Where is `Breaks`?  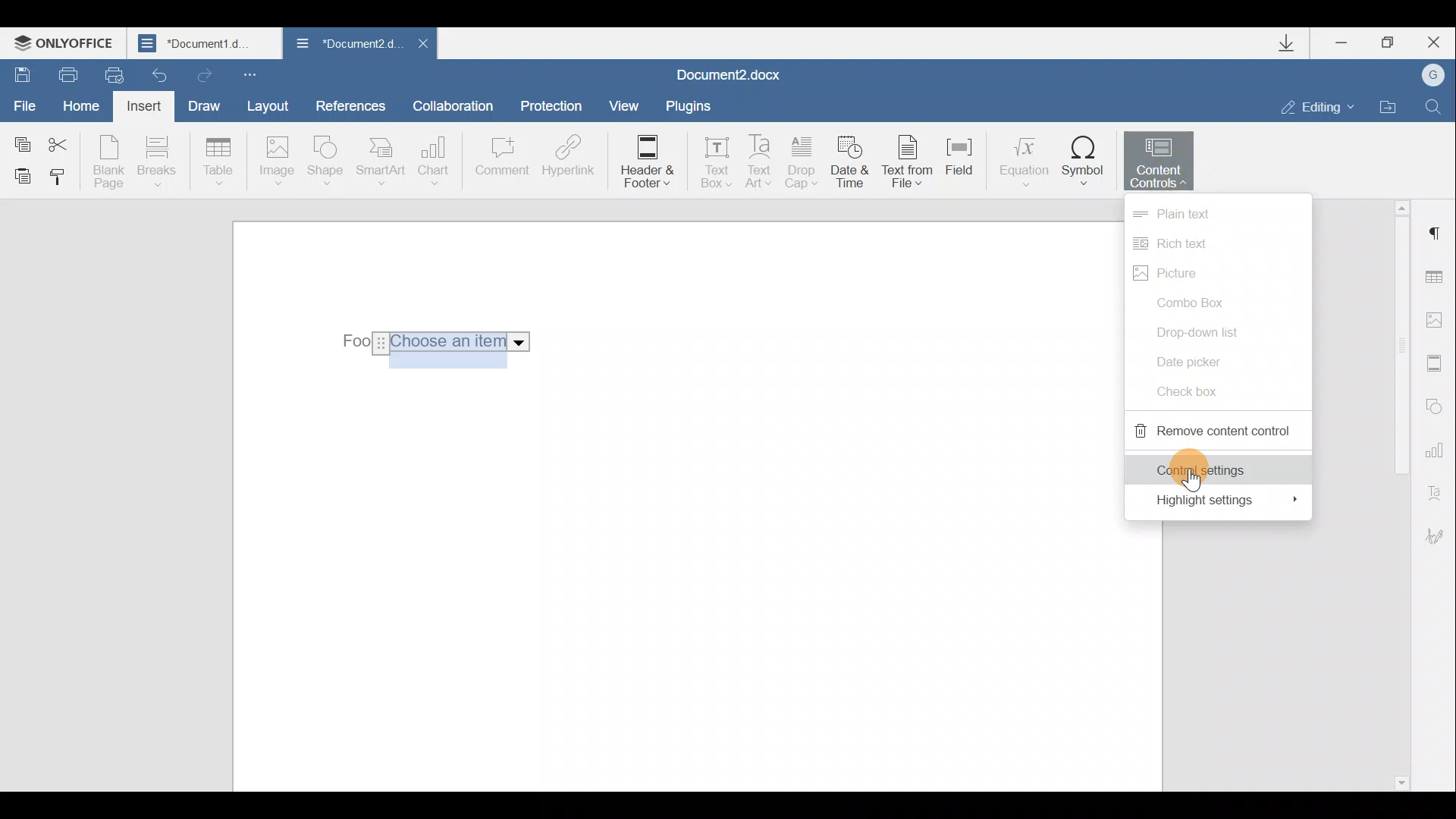 Breaks is located at coordinates (155, 165).